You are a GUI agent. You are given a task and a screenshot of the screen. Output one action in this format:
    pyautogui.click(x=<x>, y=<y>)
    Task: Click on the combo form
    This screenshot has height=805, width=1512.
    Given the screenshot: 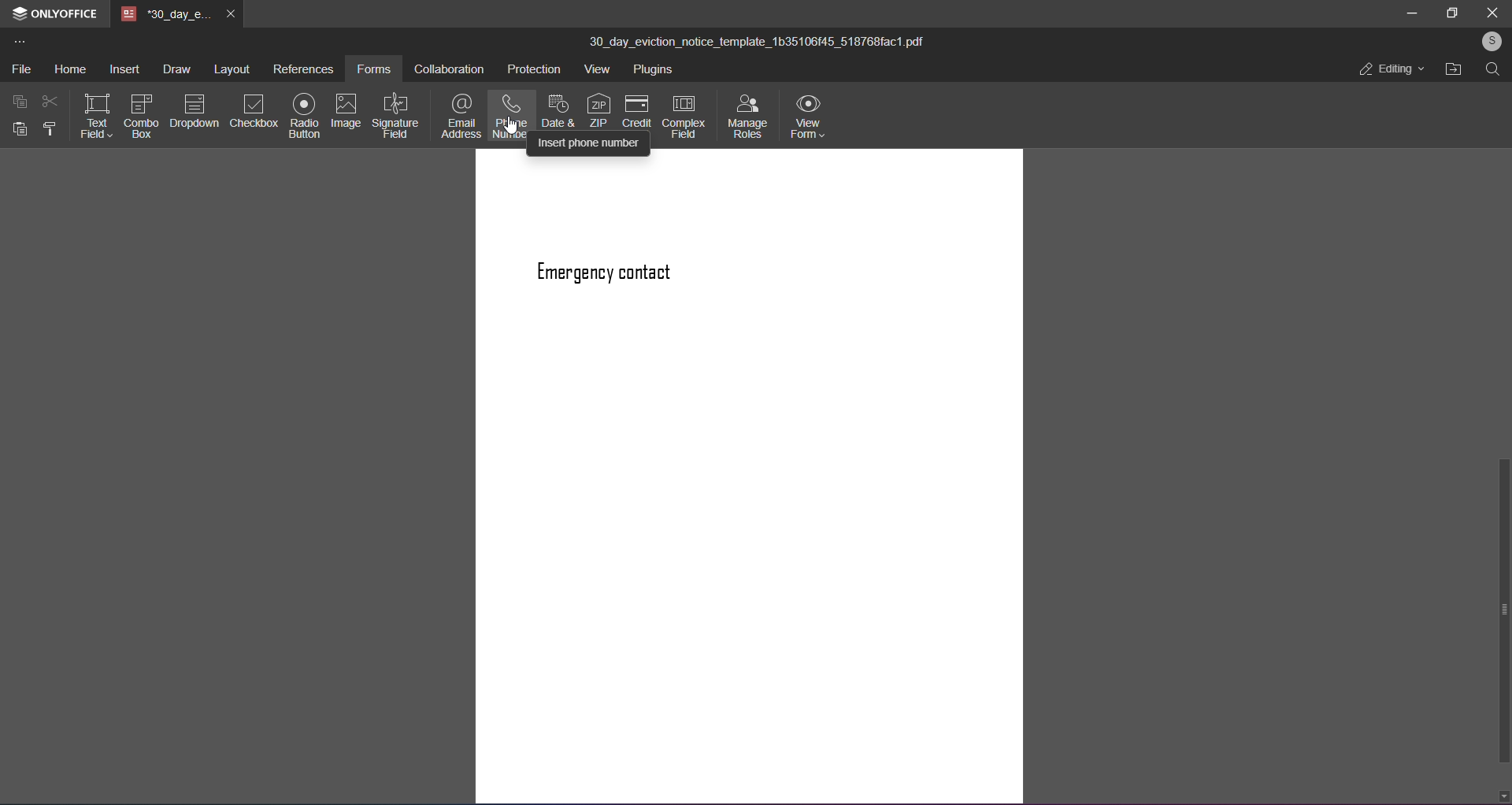 What is the action you would take?
    pyautogui.click(x=142, y=113)
    